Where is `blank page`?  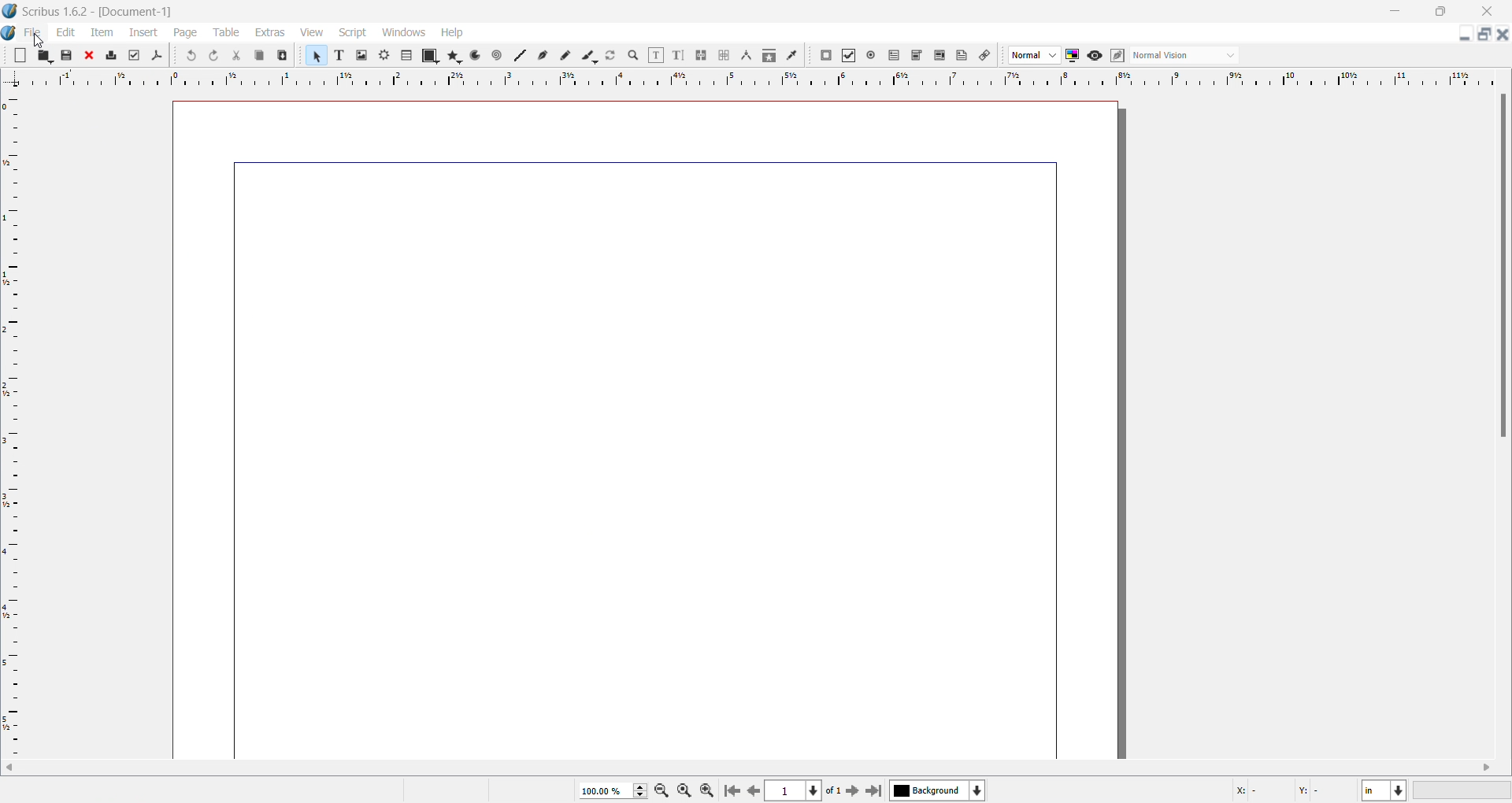
blank page is located at coordinates (22, 54).